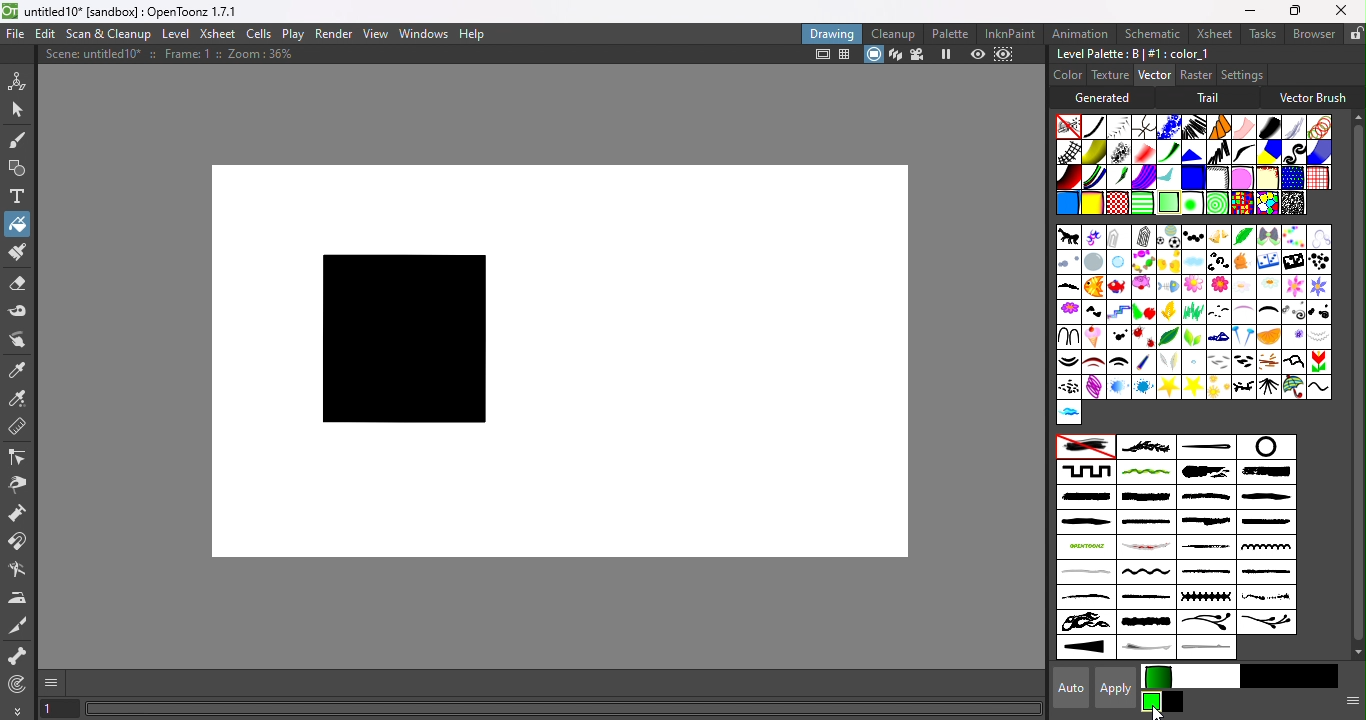 This screenshot has width=1366, height=720. What do you see at coordinates (1108, 74) in the screenshot?
I see `Texture` at bounding box center [1108, 74].